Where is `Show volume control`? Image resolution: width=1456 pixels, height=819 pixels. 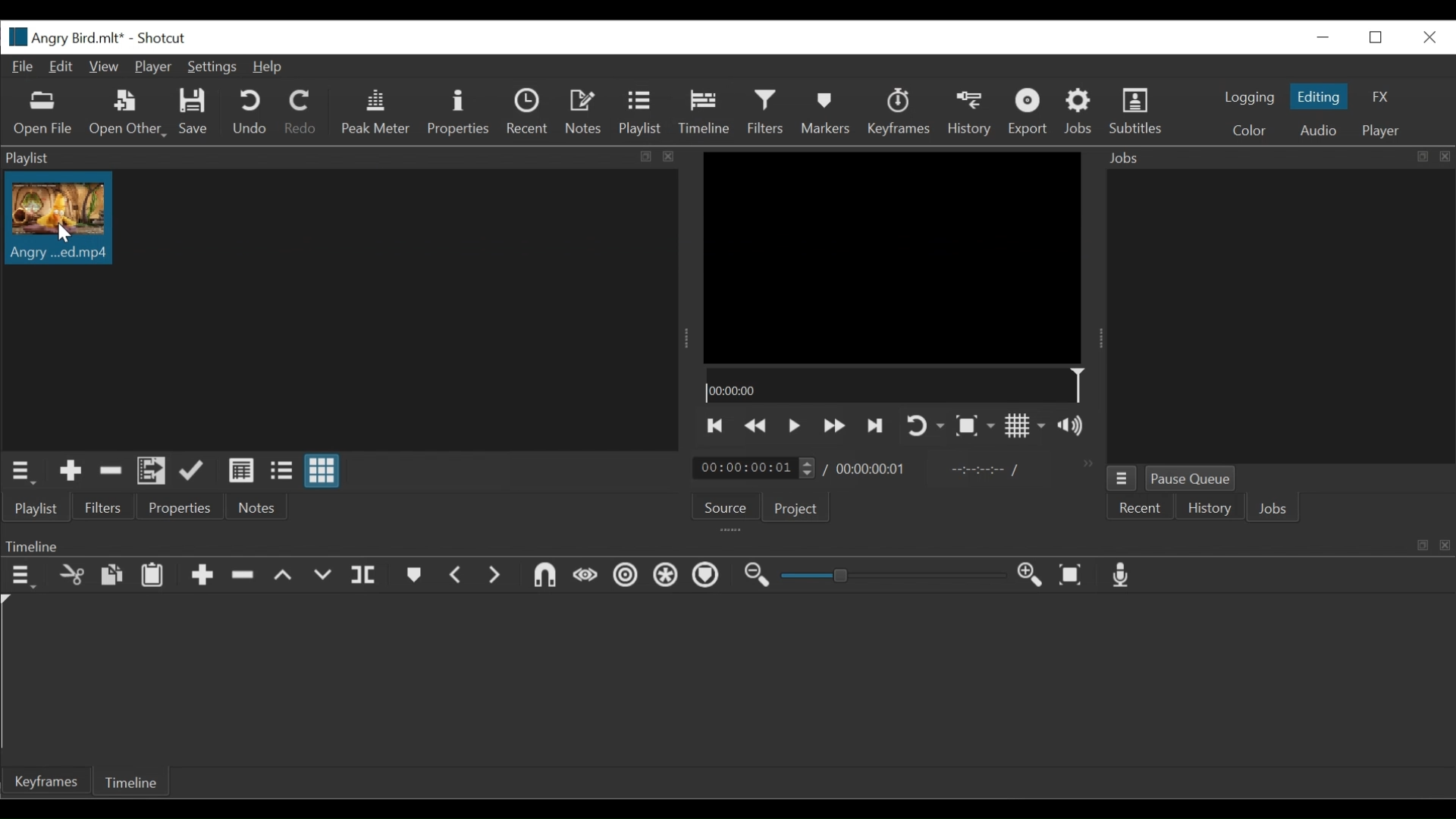 Show volume control is located at coordinates (1073, 427).